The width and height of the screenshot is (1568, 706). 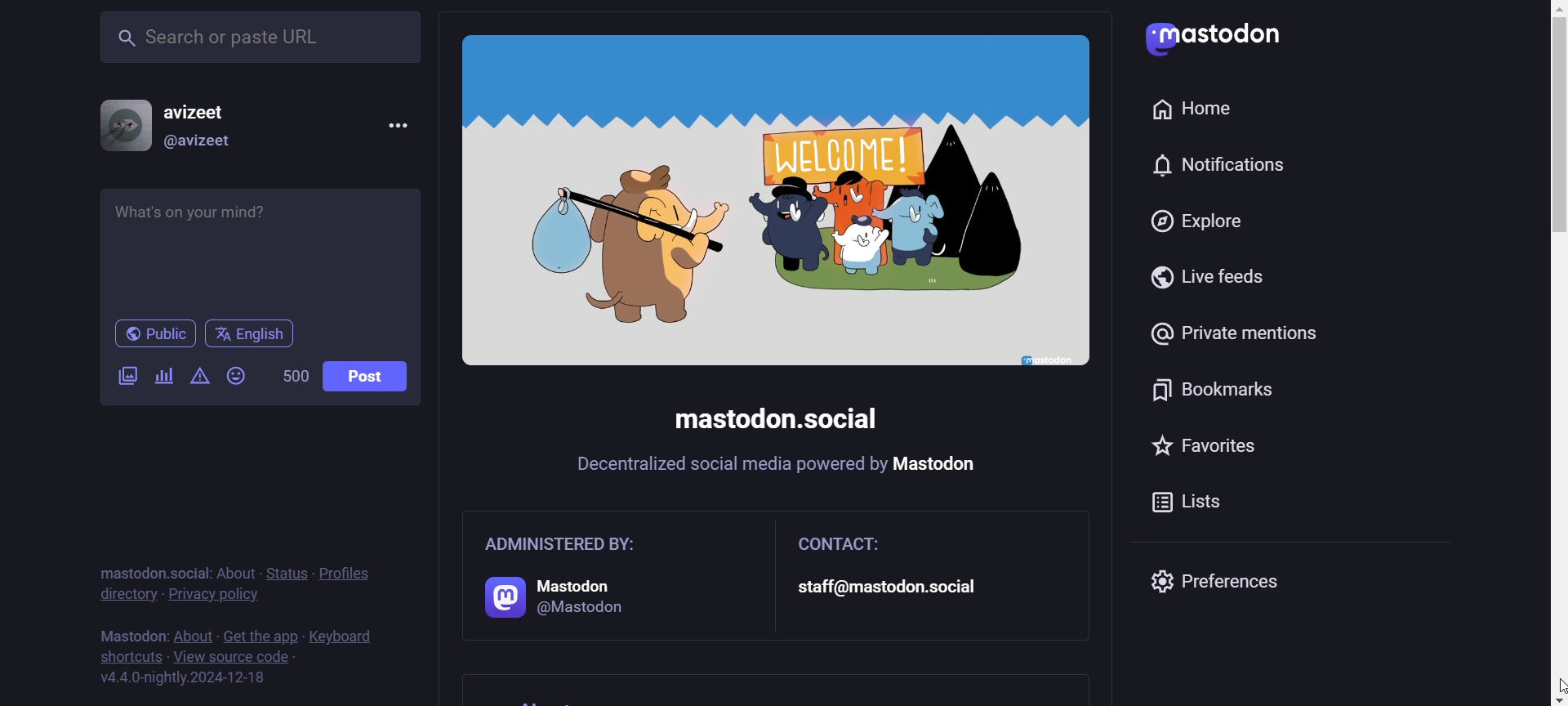 What do you see at coordinates (130, 632) in the screenshot?
I see `text` at bounding box center [130, 632].